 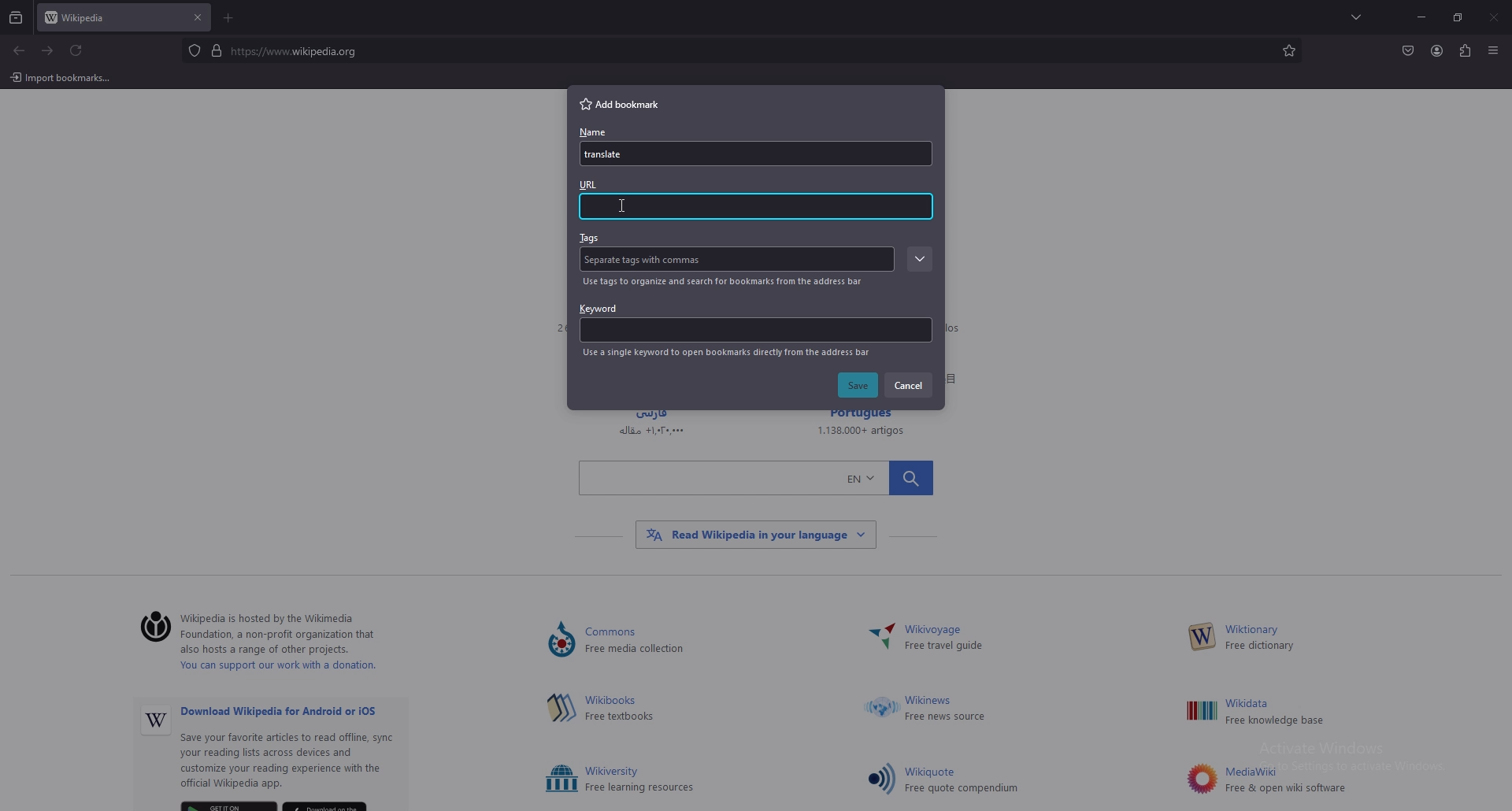 I want to click on cancel, so click(x=910, y=384).